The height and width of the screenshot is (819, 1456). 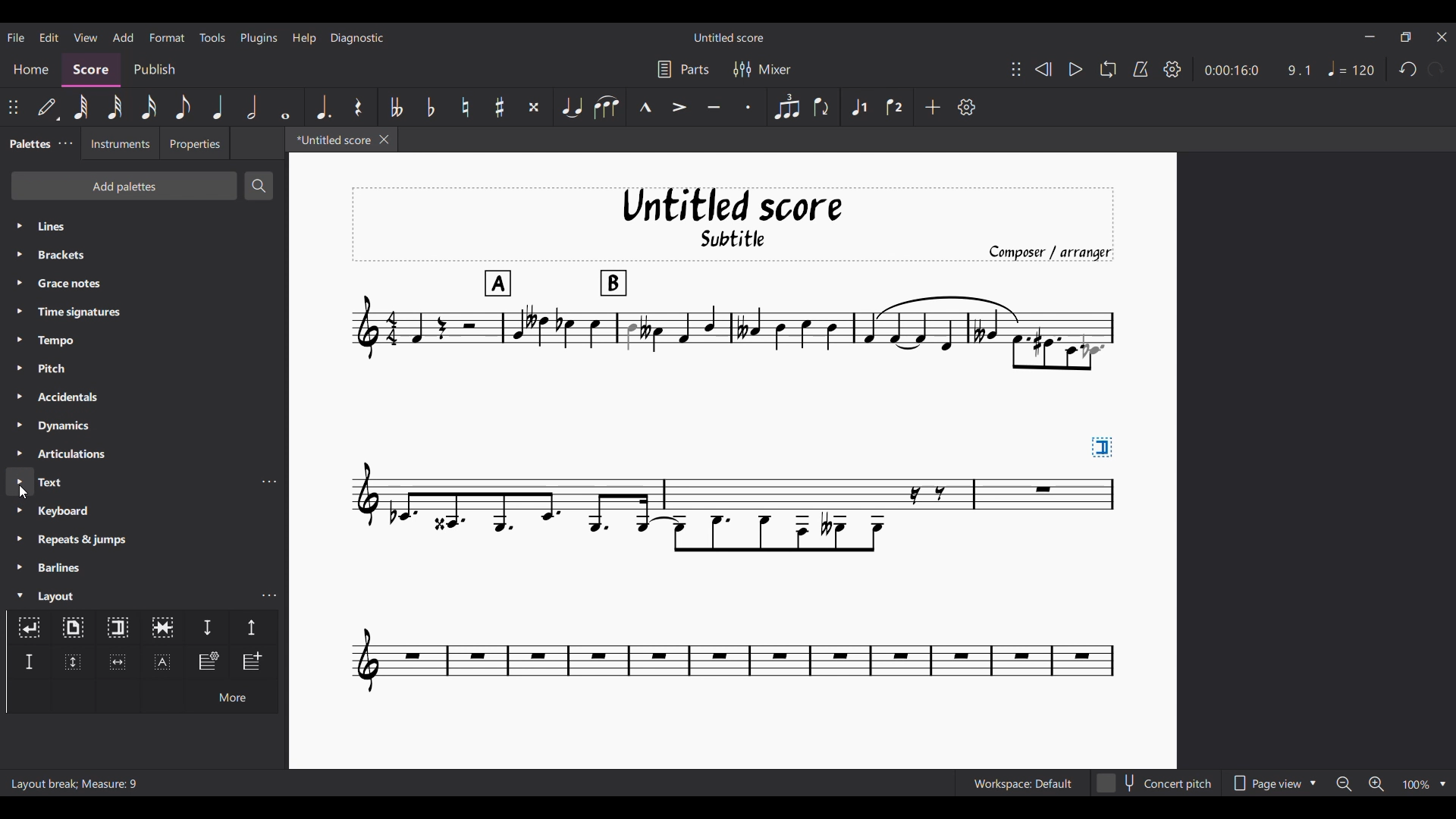 I want to click on Mixer settings, so click(x=762, y=70).